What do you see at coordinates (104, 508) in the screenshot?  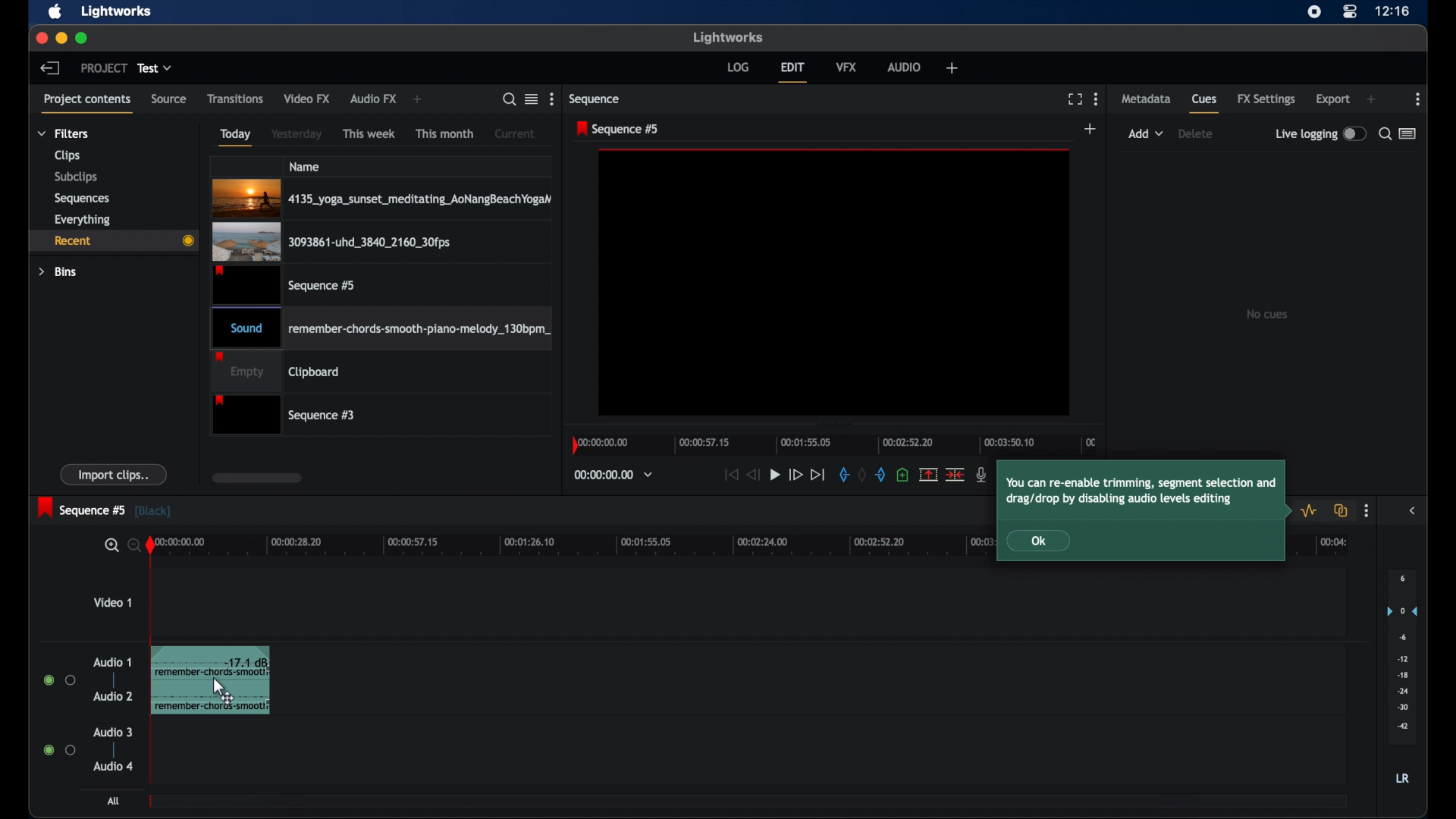 I see `sequence 5` at bounding box center [104, 508].